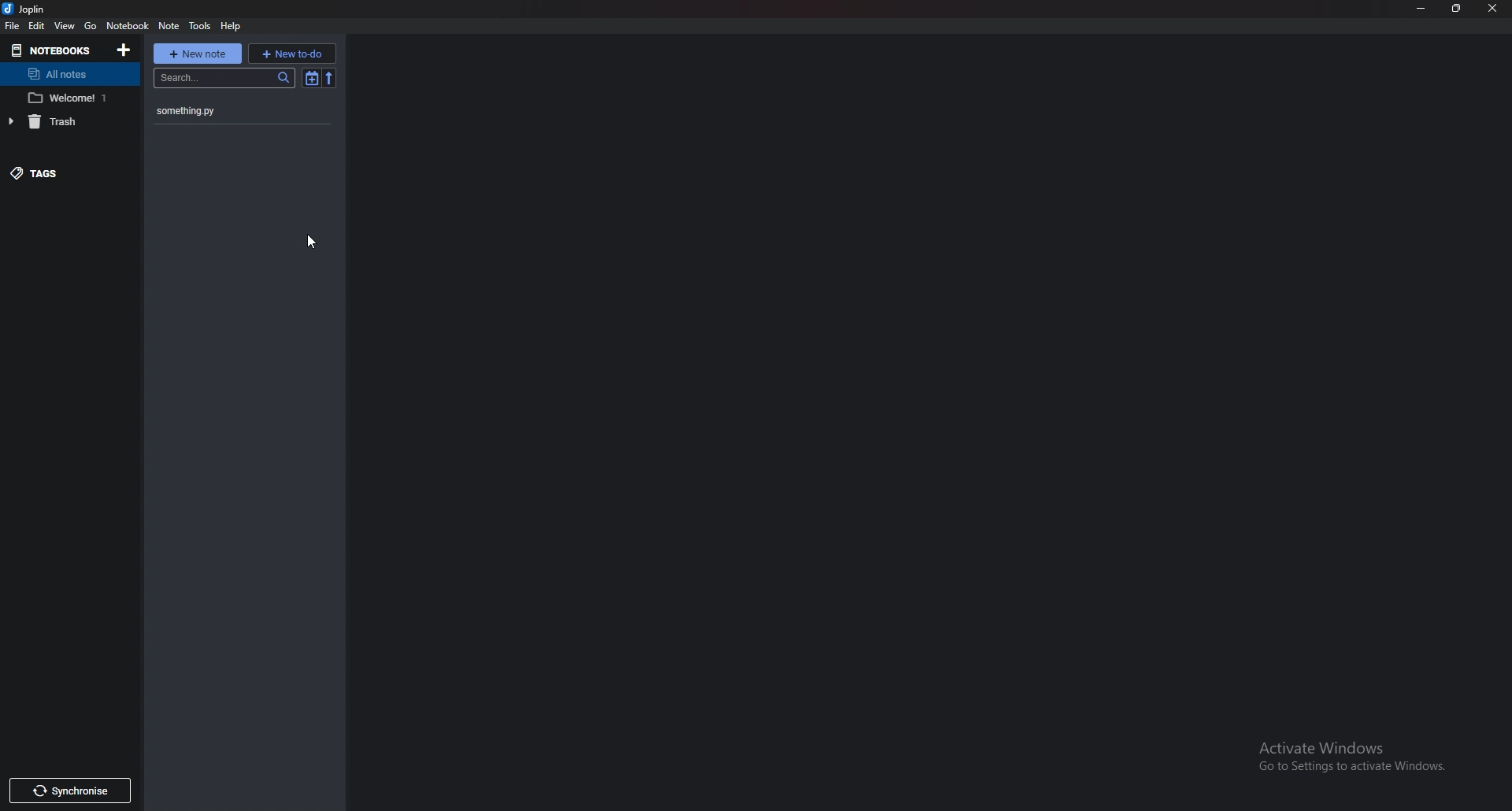 This screenshot has height=811, width=1512. Describe the element at coordinates (290, 54) in the screenshot. I see `new To do` at that location.